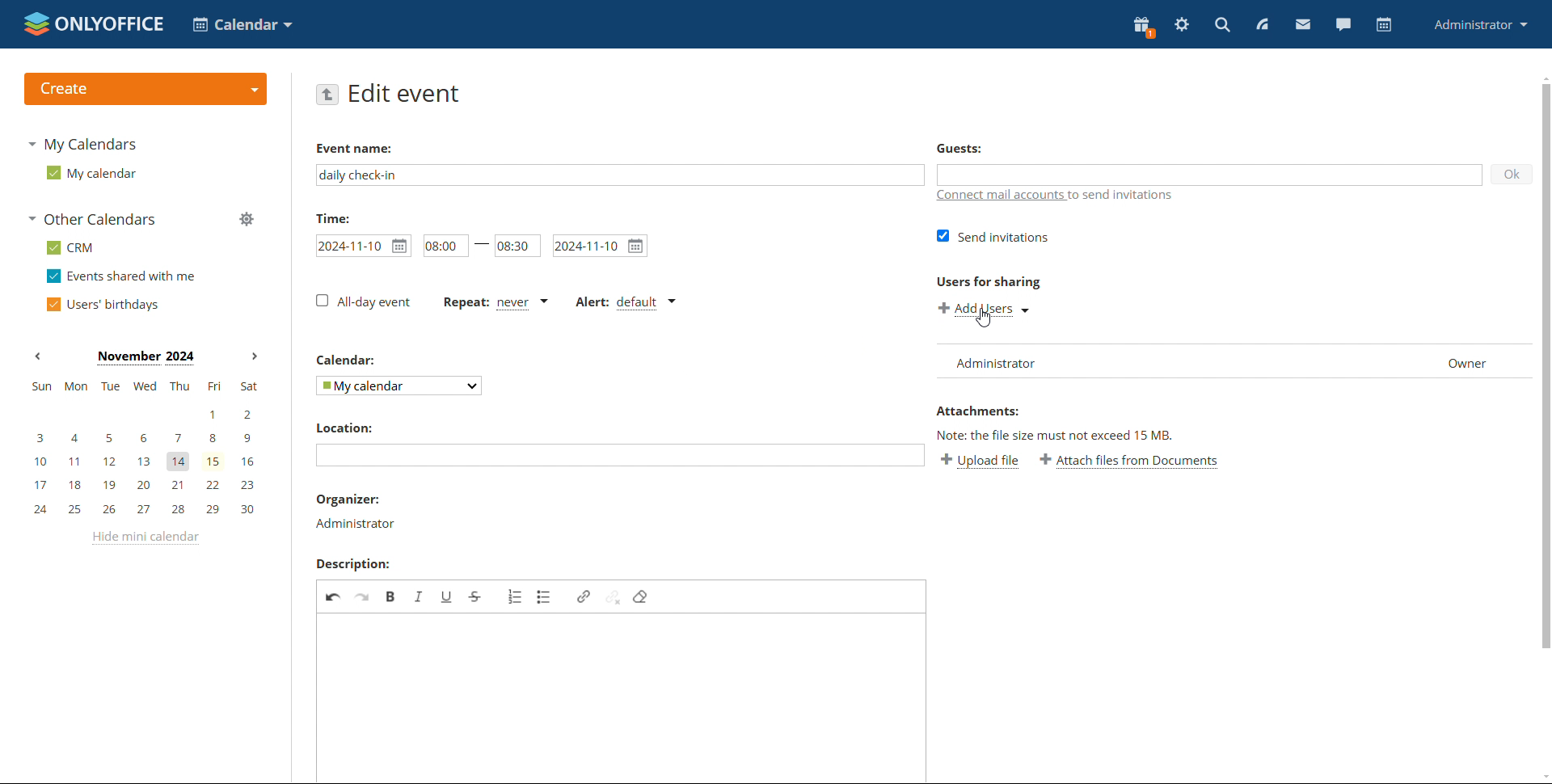 The width and height of the screenshot is (1552, 784). I want to click on connect mail accounts, so click(1056, 198).